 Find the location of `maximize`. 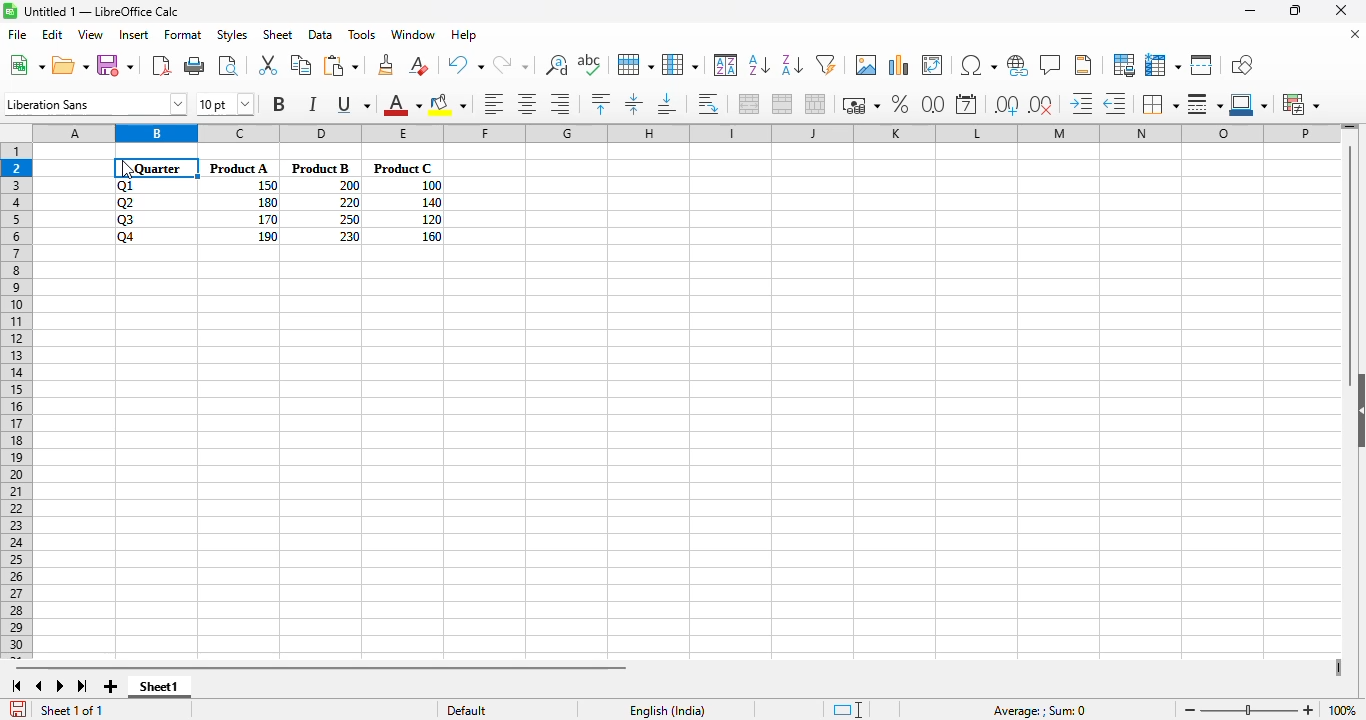

maximize is located at coordinates (1297, 11).